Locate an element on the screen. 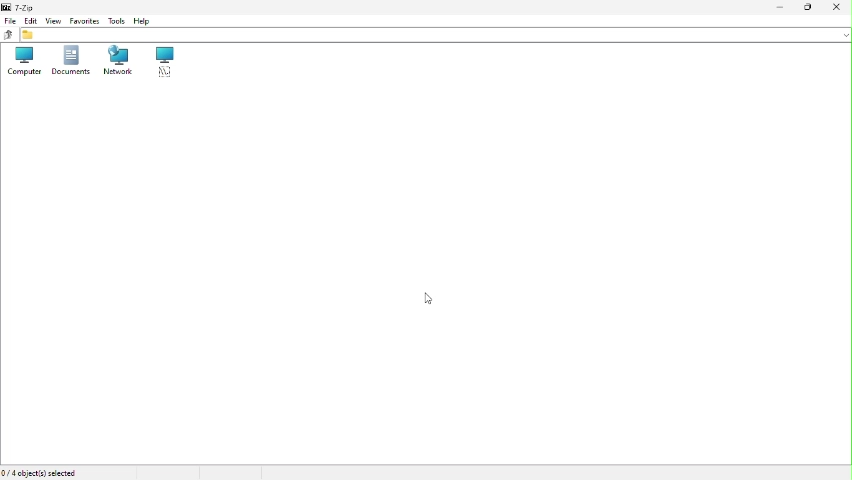 Image resolution: width=852 pixels, height=480 pixels. Tools is located at coordinates (115, 20).